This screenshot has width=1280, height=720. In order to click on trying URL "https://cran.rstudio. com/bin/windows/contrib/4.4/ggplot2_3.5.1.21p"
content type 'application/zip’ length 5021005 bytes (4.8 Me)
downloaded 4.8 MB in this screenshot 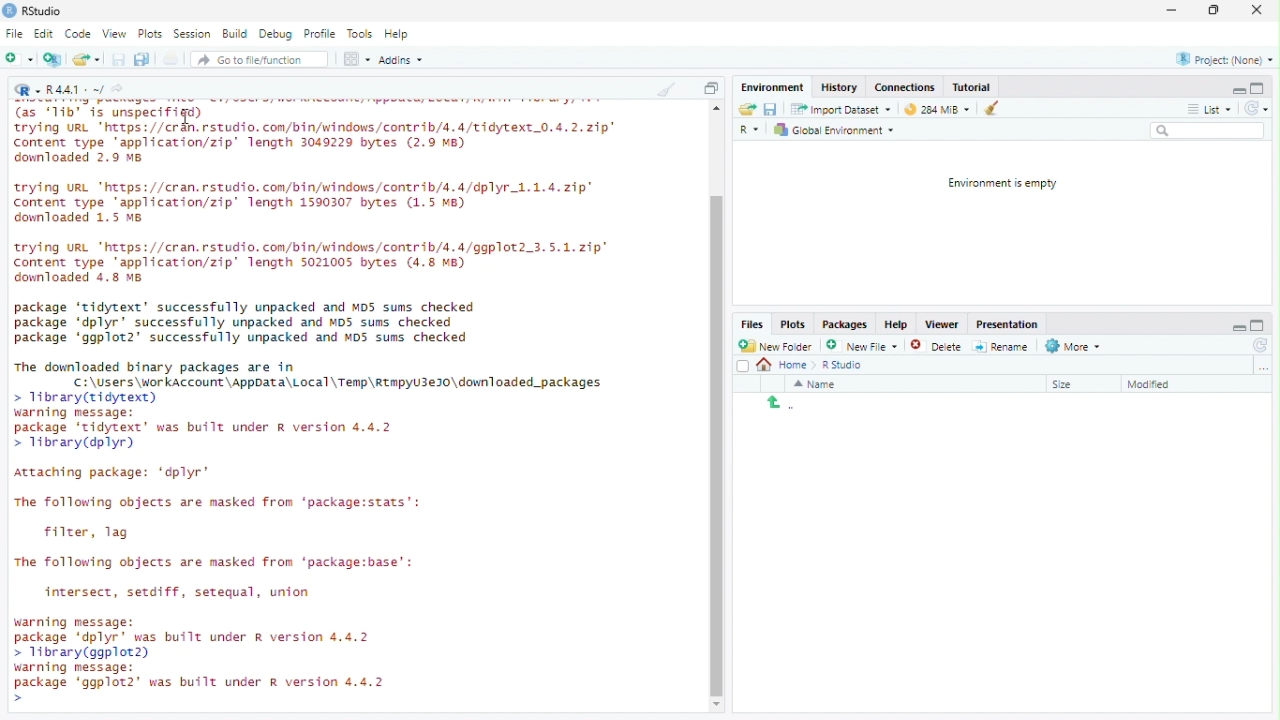, I will do `click(313, 263)`.